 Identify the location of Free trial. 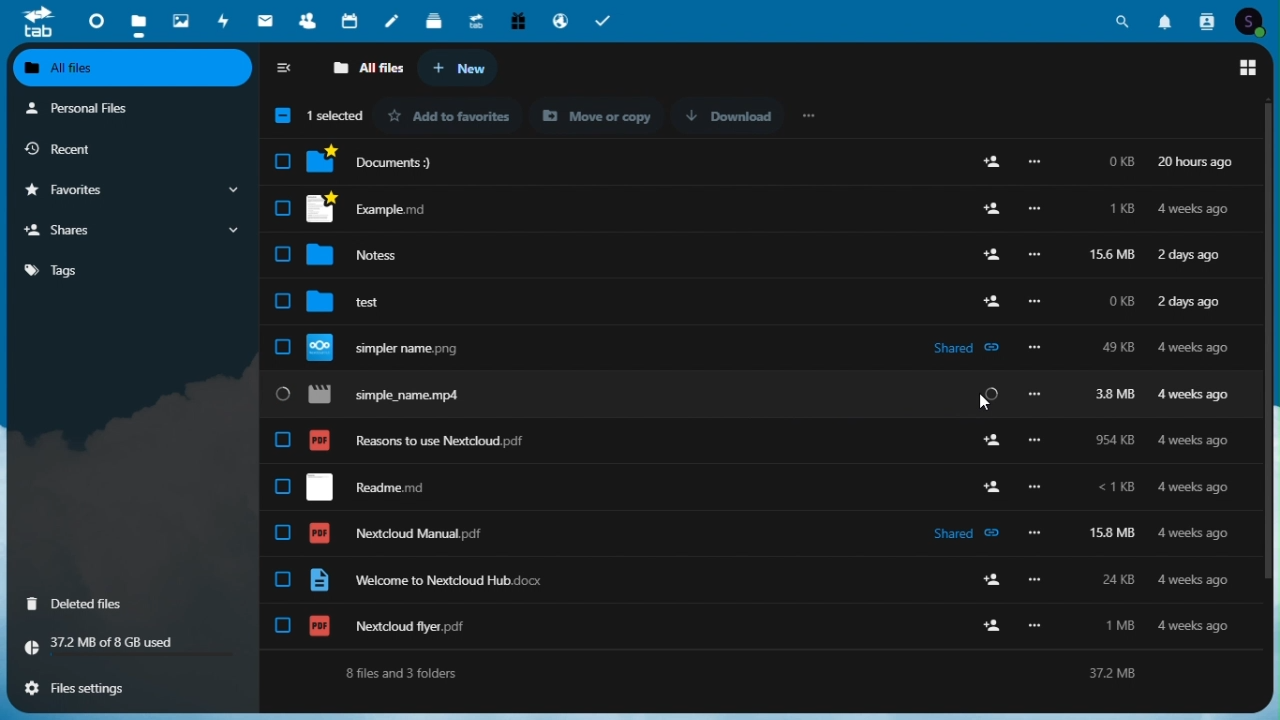
(516, 20).